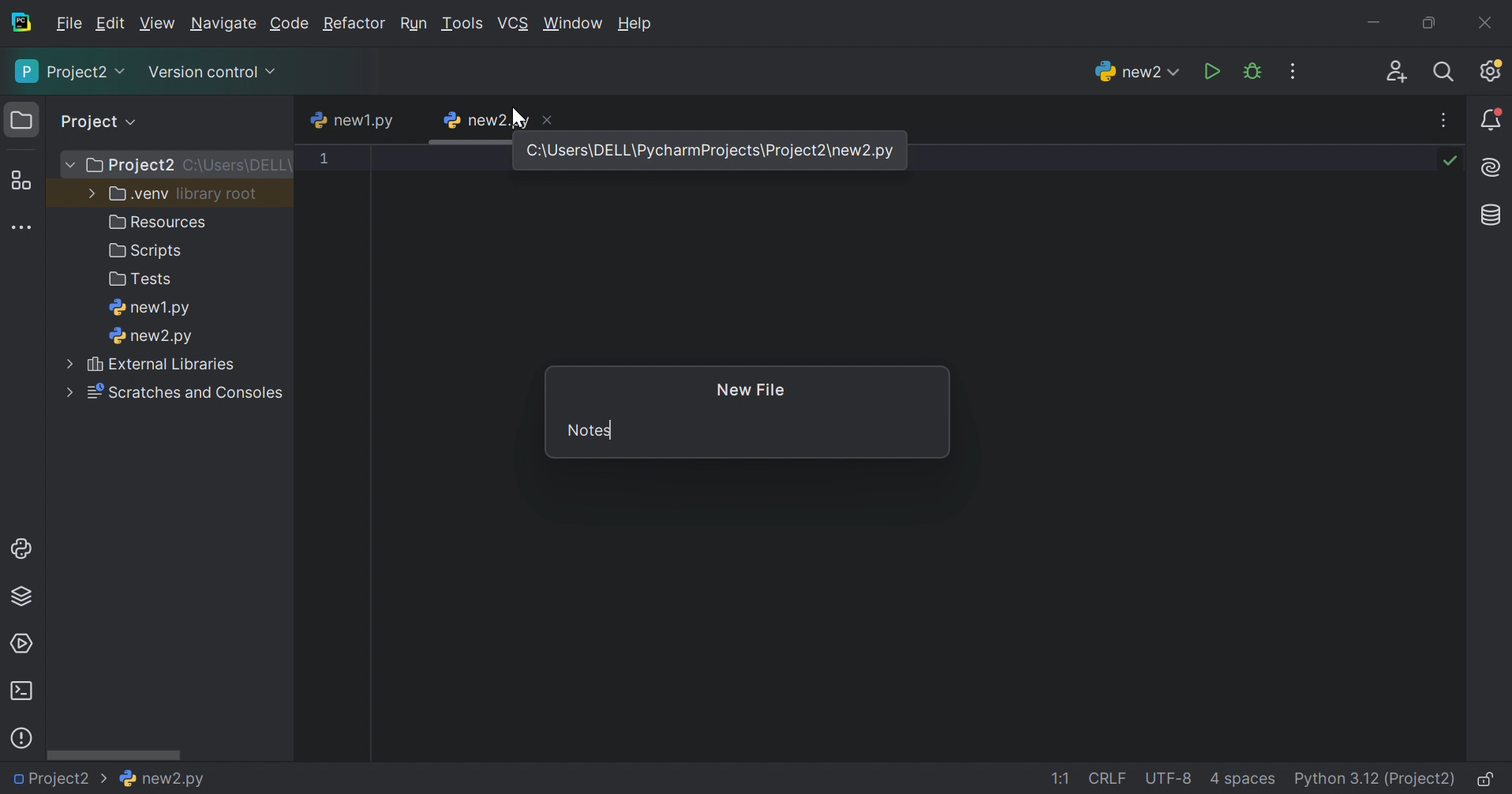 The width and height of the screenshot is (1512, 794). Describe the element at coordinates (143, 280) in the screenshot. I see `Tests` at that location.